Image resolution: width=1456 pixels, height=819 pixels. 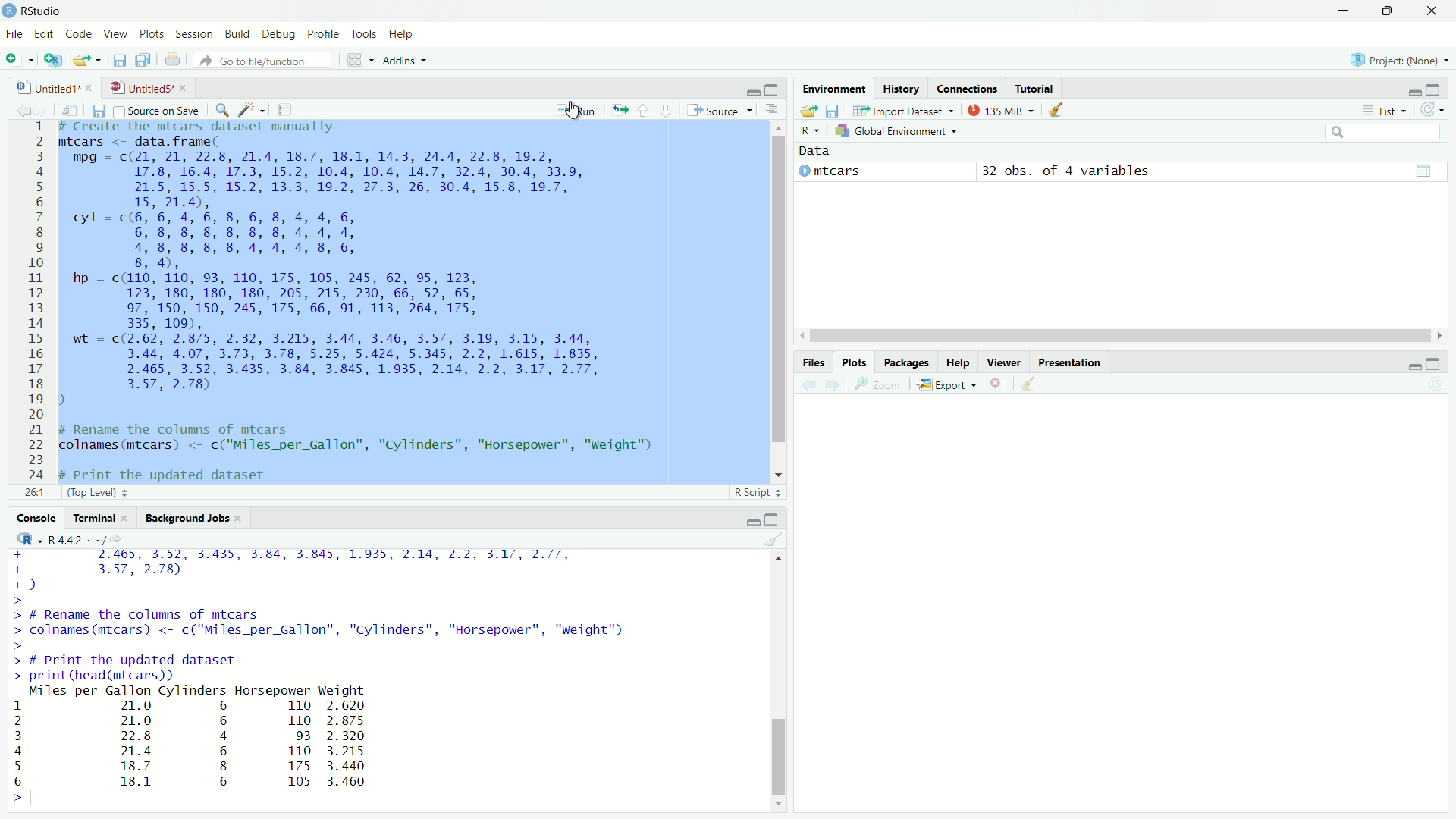 I want to click on clear, so click(x=1030, y=387).